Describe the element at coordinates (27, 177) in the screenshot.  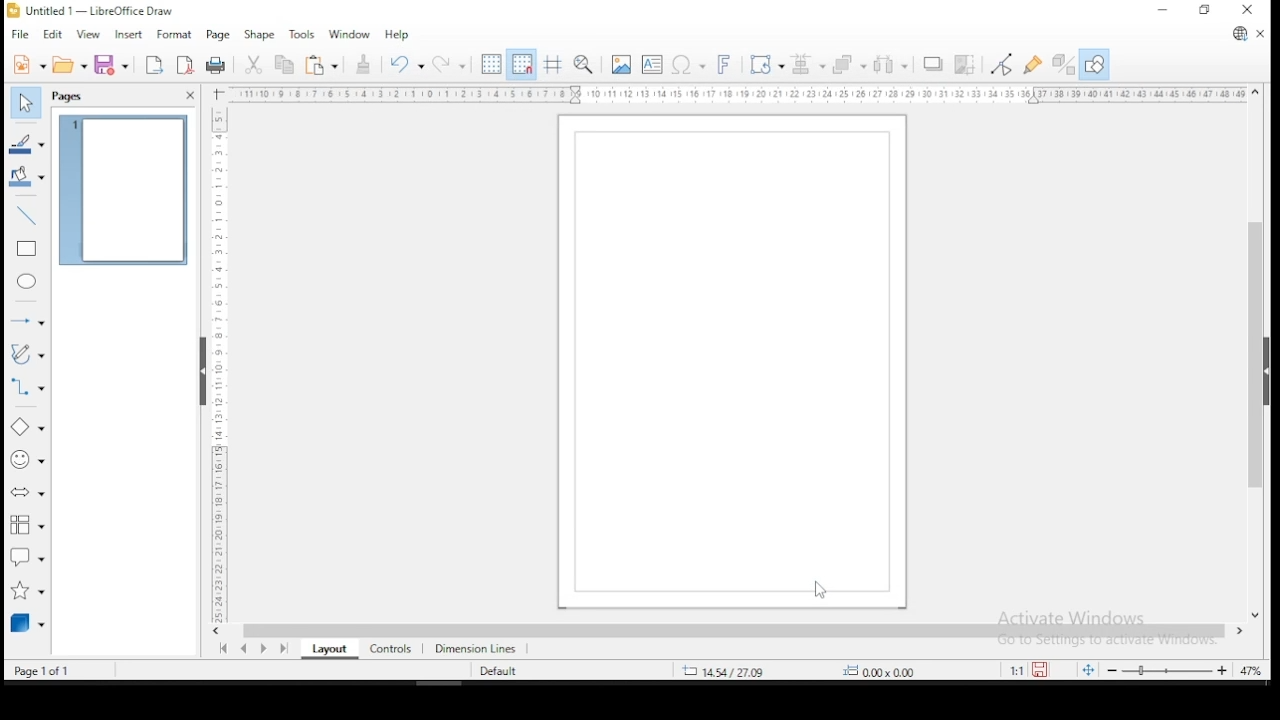
I see `fill color` at that location.